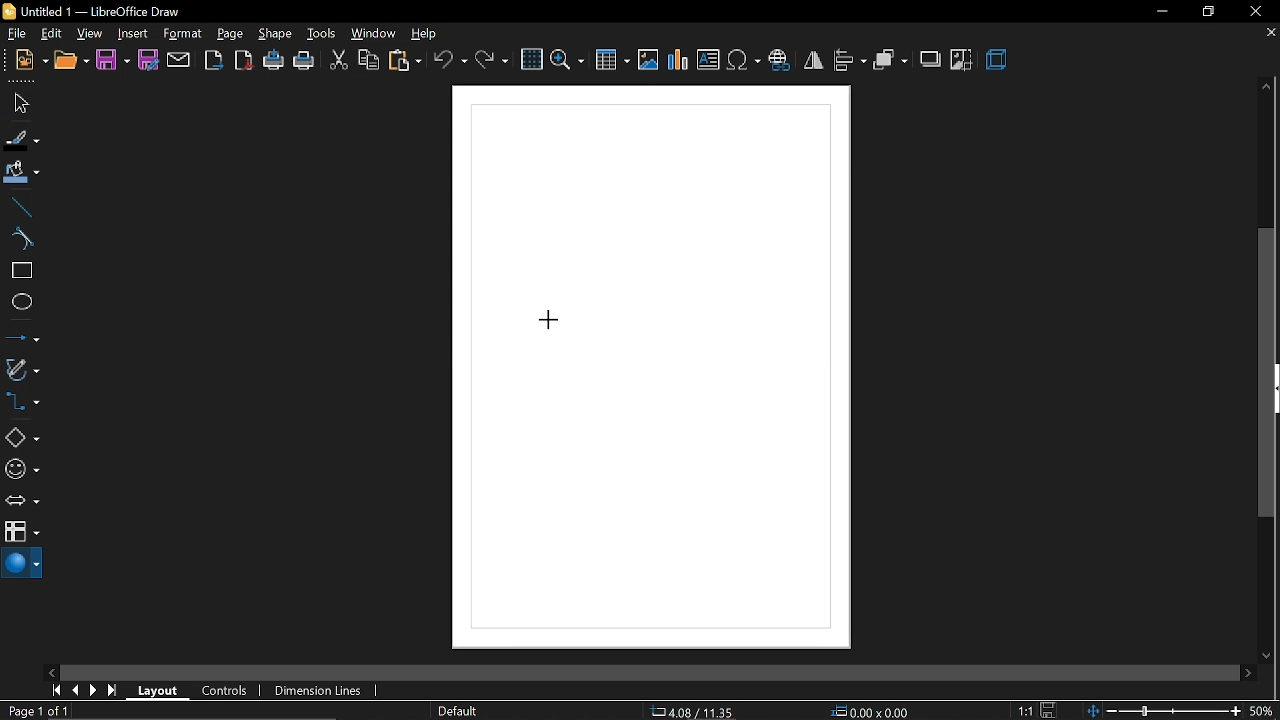 This screenshot has width=1280, height=720. Describe the element at coordinates (708, 60) in the screenshot. I see `insert text` at that location.